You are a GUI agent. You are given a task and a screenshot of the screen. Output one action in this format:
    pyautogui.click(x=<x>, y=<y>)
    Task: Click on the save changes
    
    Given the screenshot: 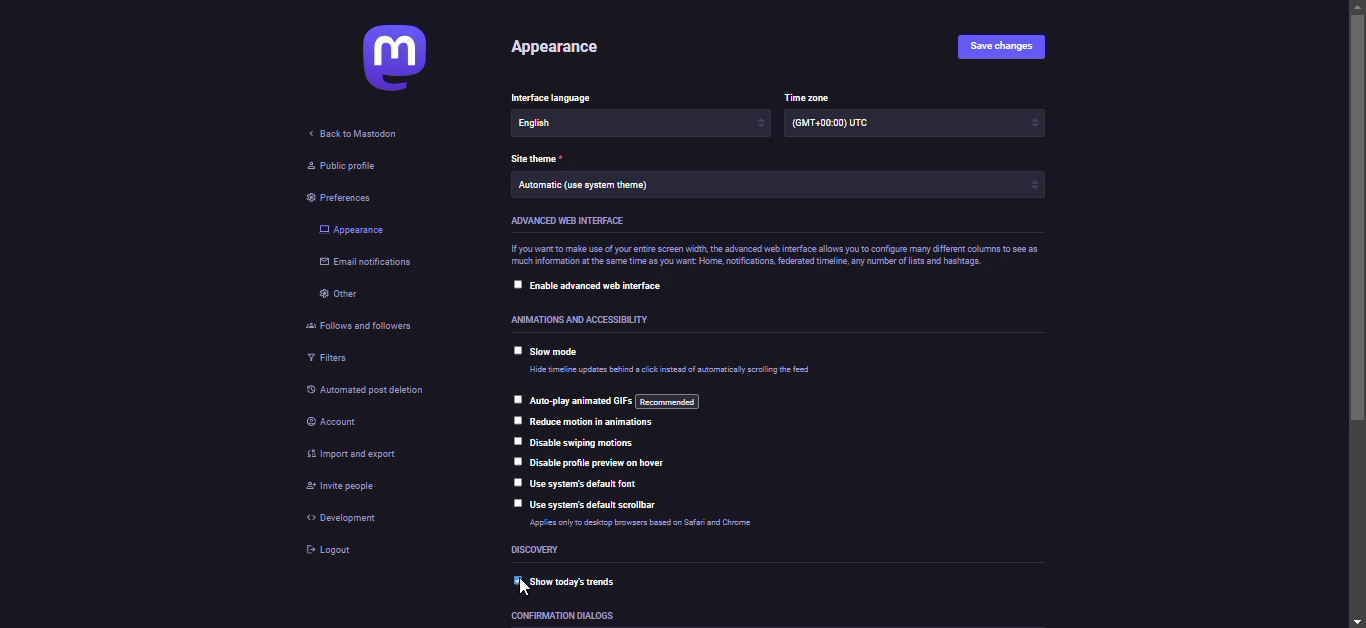 What is the action you would take?
    pyautogui.click(x=1001, y=46)
    